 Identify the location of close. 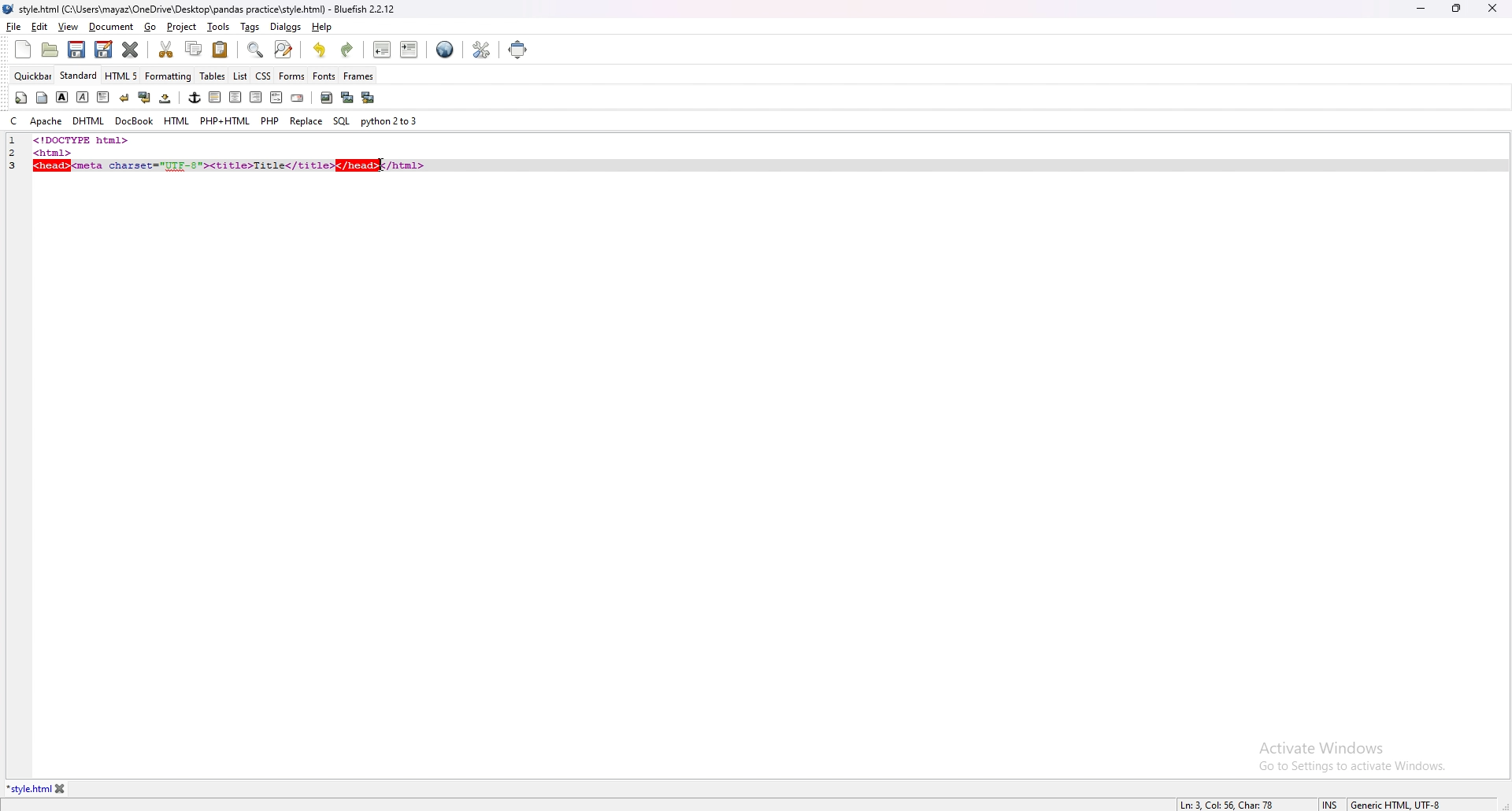
(1492, 8).